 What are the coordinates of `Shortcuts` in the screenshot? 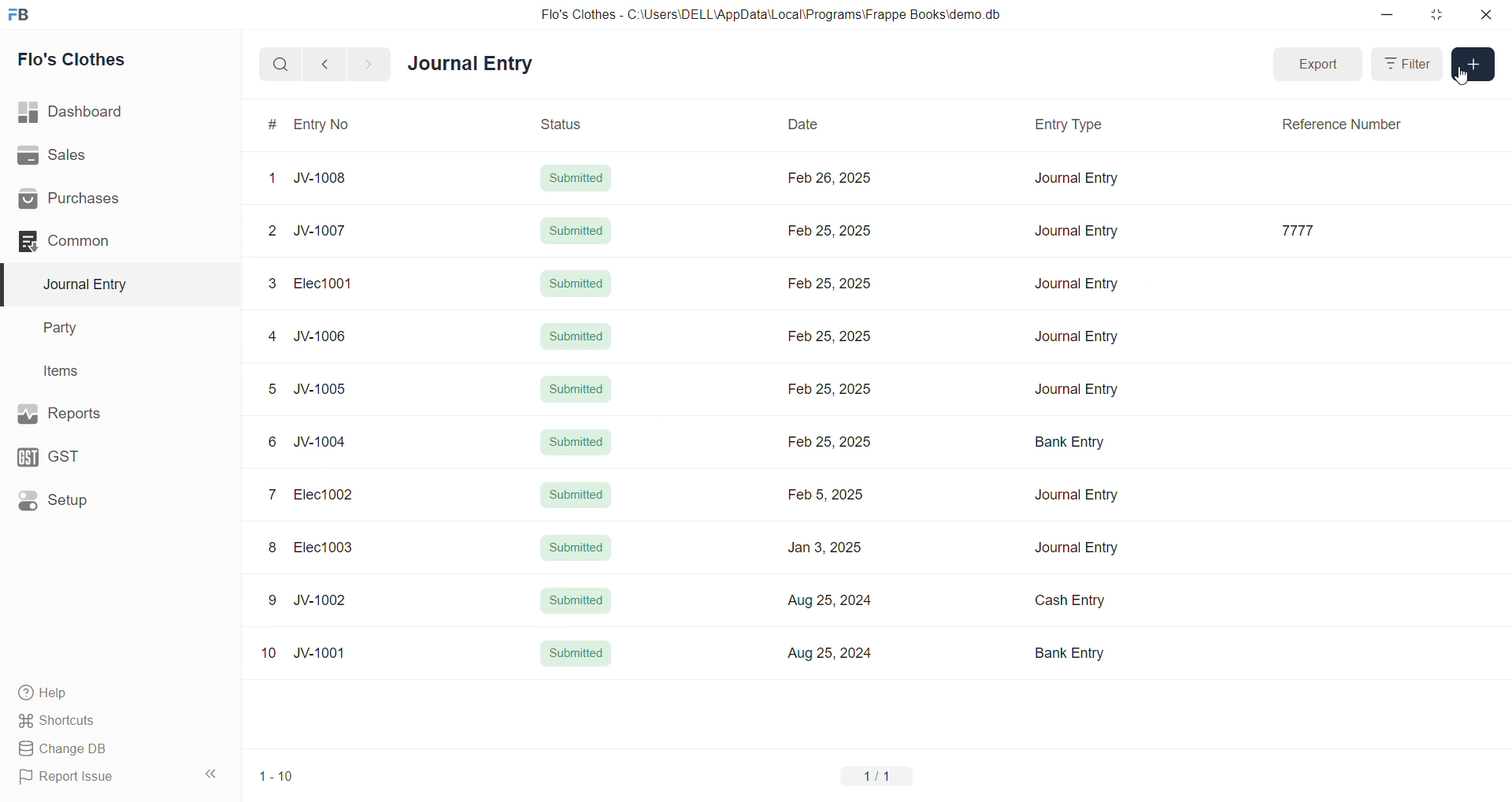 It's located at (95, 722).